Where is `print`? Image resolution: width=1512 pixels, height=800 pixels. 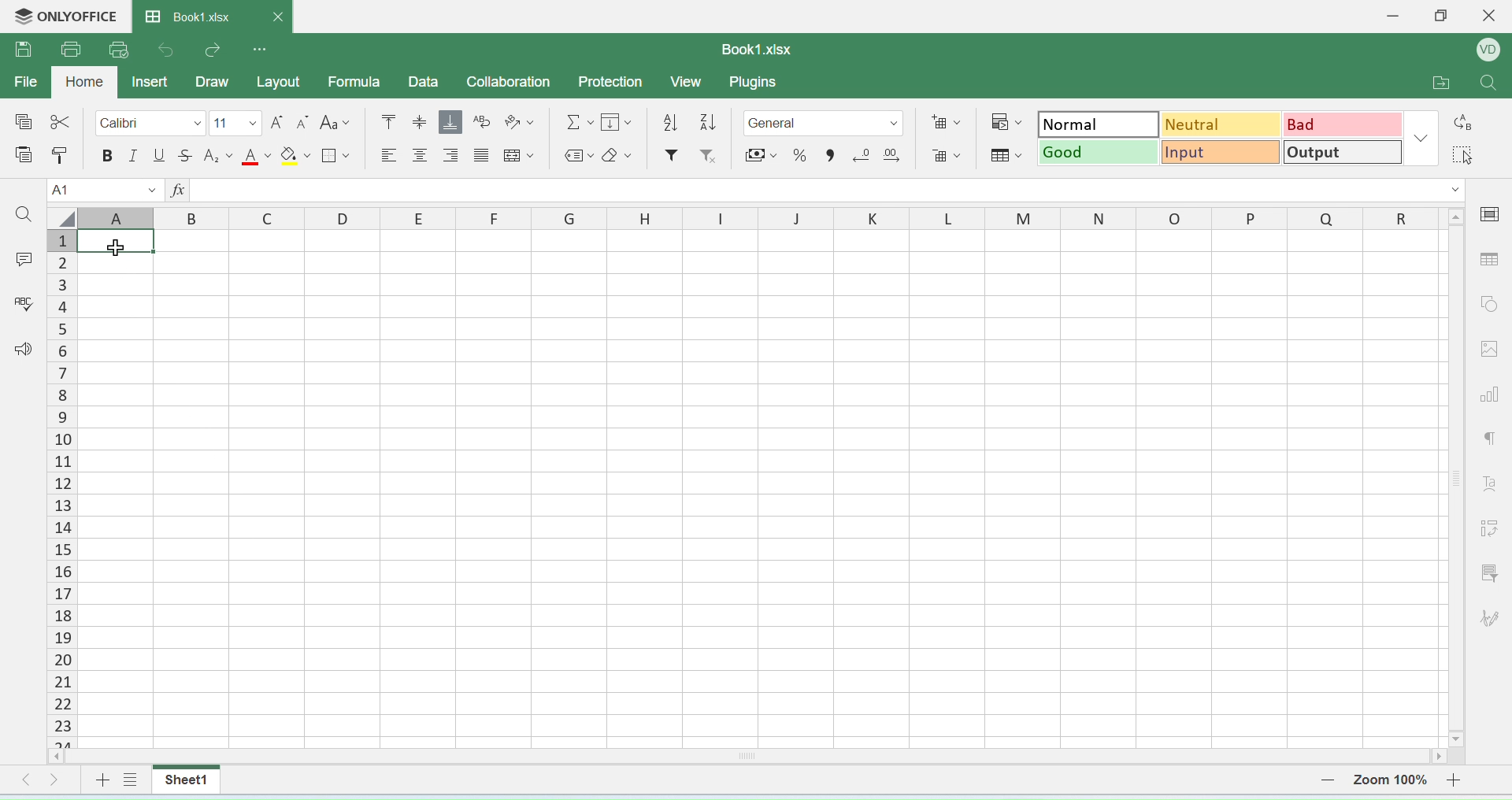
print is located at coordinates (74, 47).